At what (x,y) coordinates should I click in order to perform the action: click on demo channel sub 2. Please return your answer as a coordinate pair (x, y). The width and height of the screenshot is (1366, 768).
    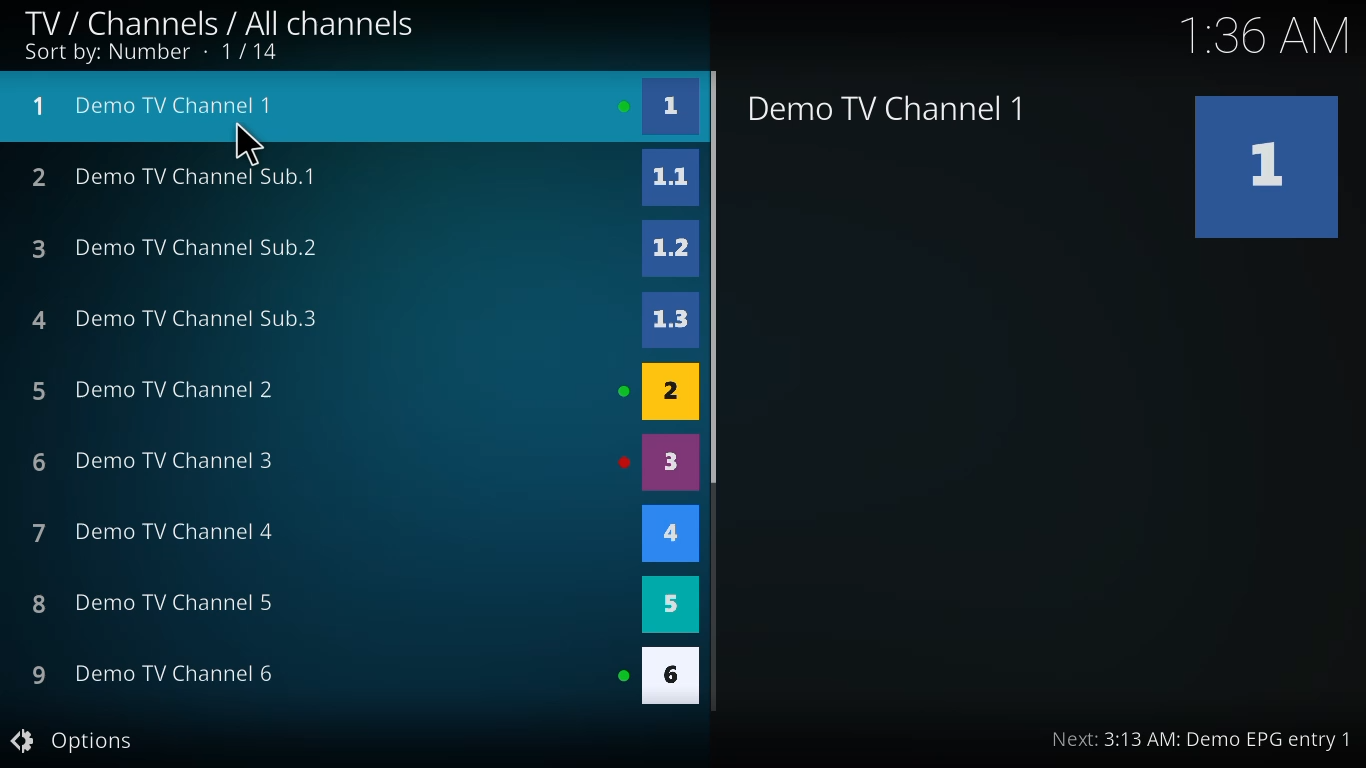
    Looking at the image, I should click on (174, 245).